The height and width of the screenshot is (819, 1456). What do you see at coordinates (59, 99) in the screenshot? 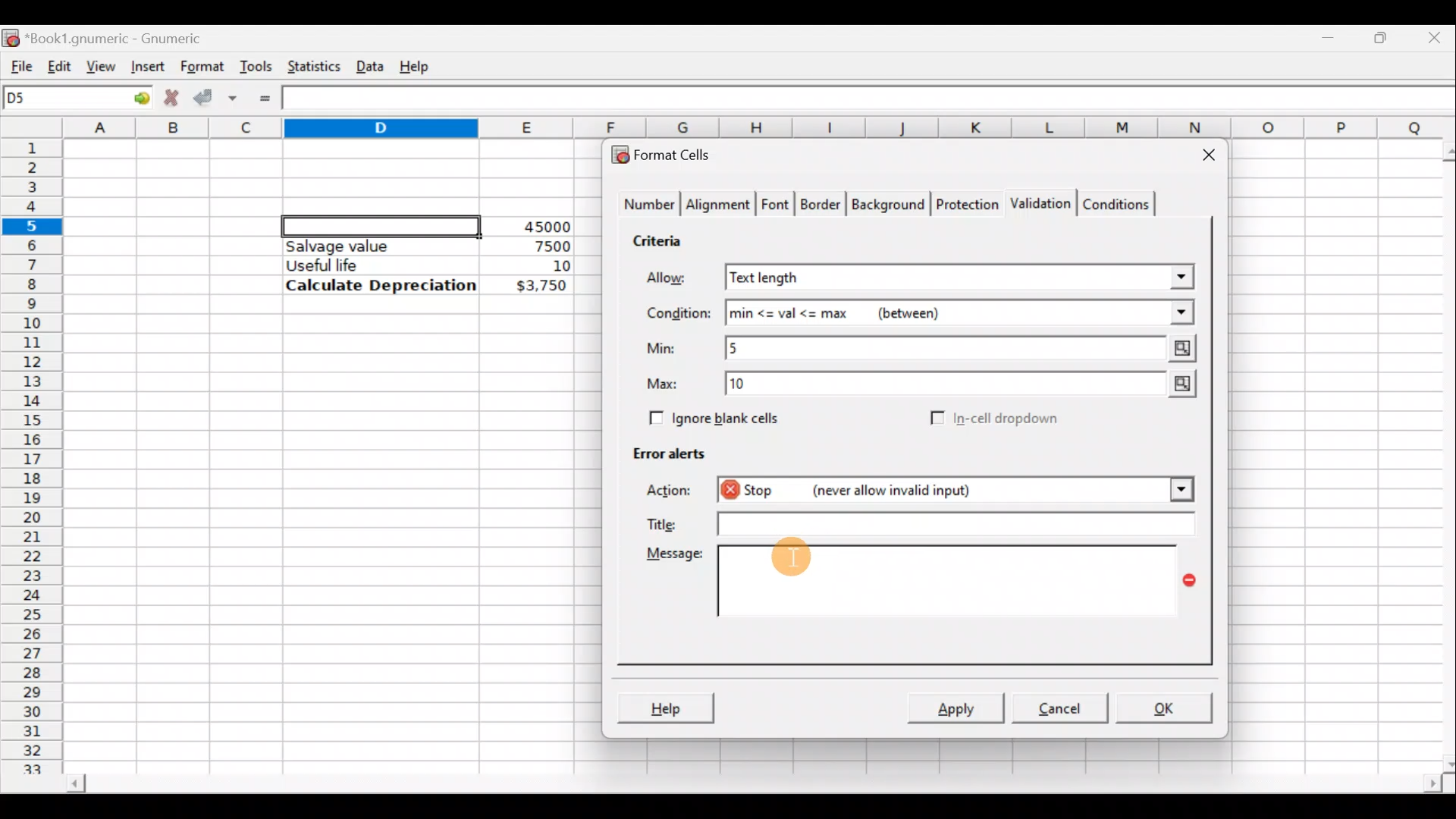
I see `Cell name D5` at bounding box center [59, 99].